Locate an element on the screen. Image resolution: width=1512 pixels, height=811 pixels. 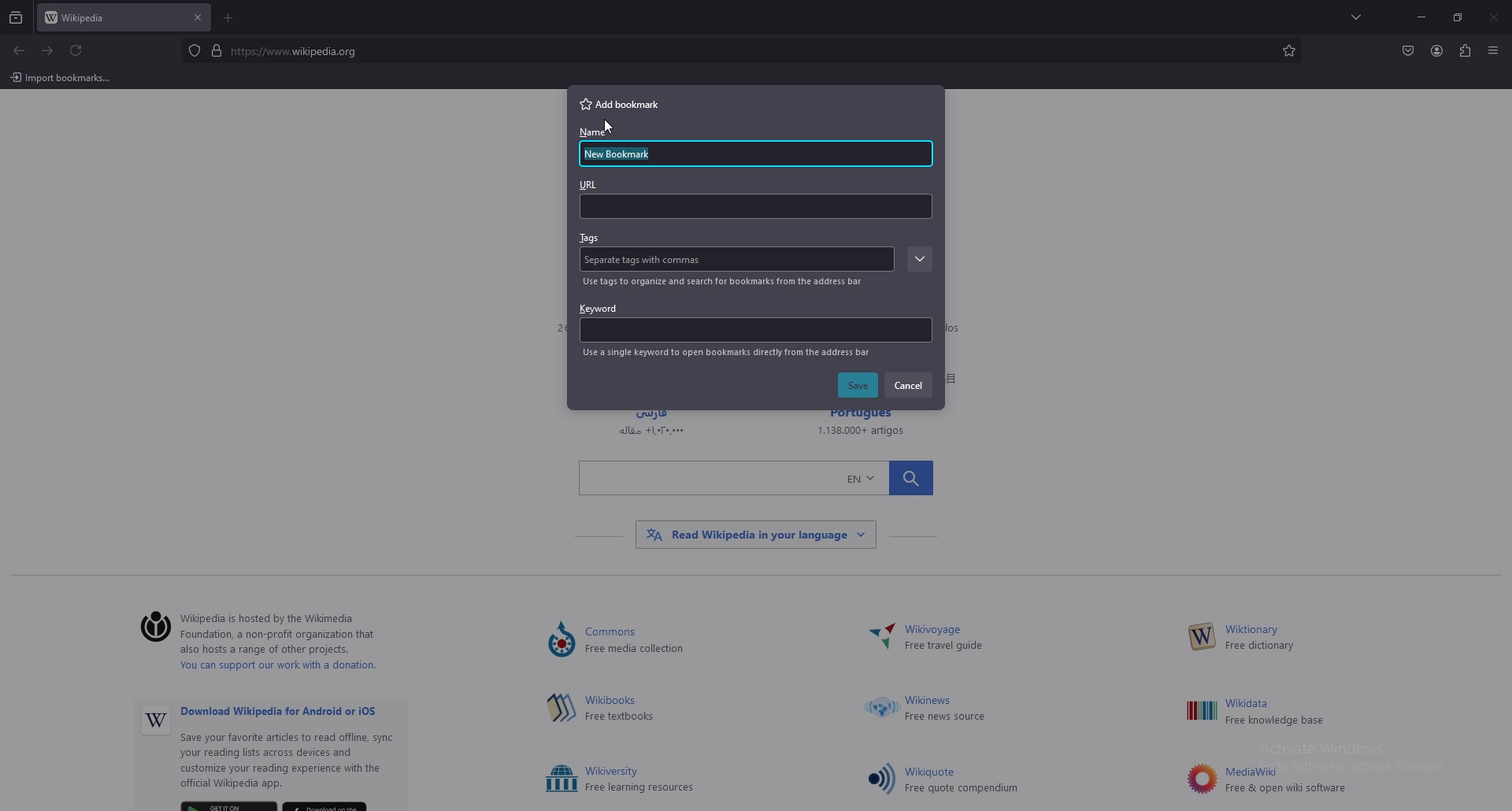
refresh is located at coordinates (76, 51).